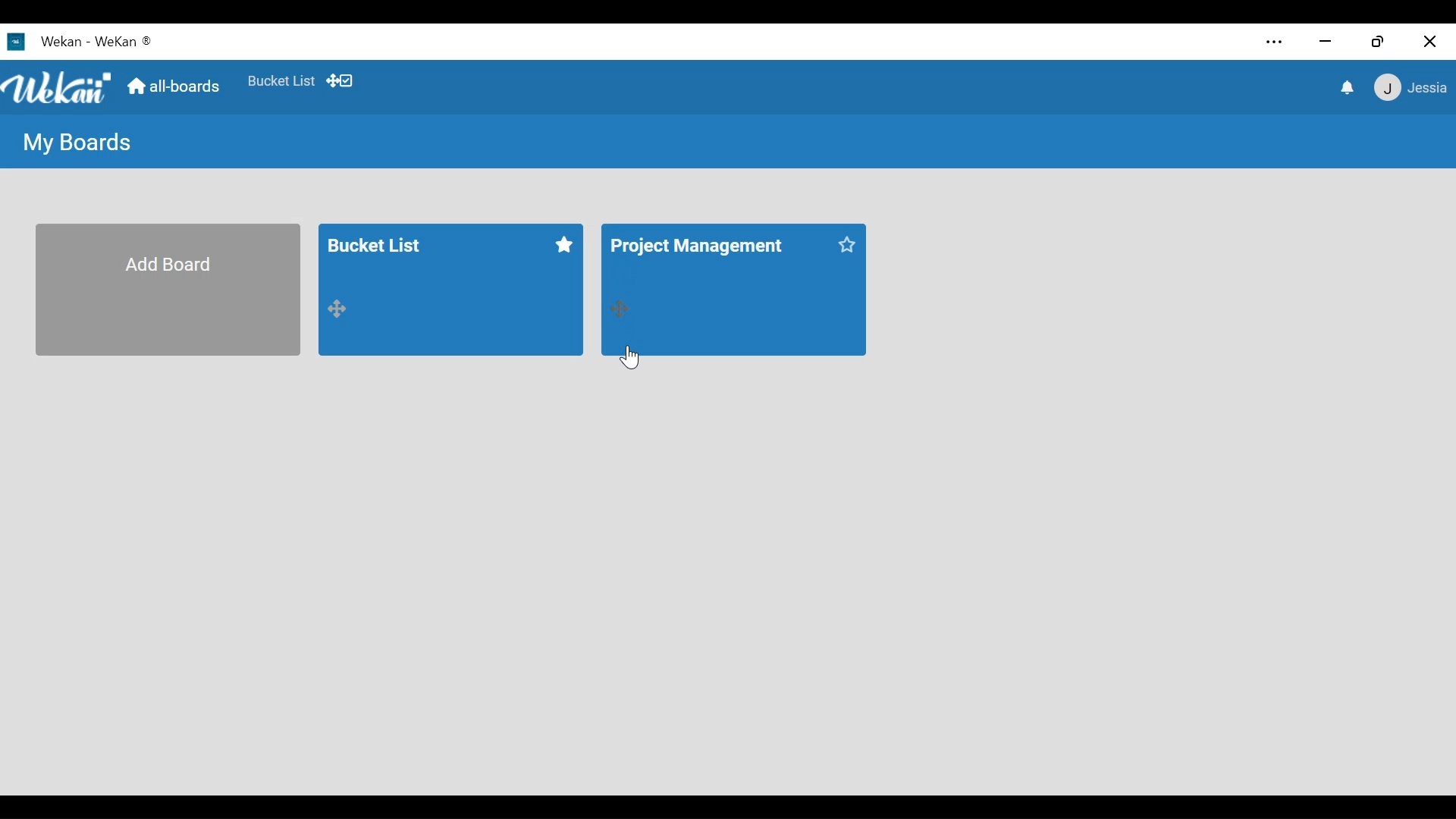 This screenshot has width=1456, height=819. I want to click on close, so click(1432, 42).